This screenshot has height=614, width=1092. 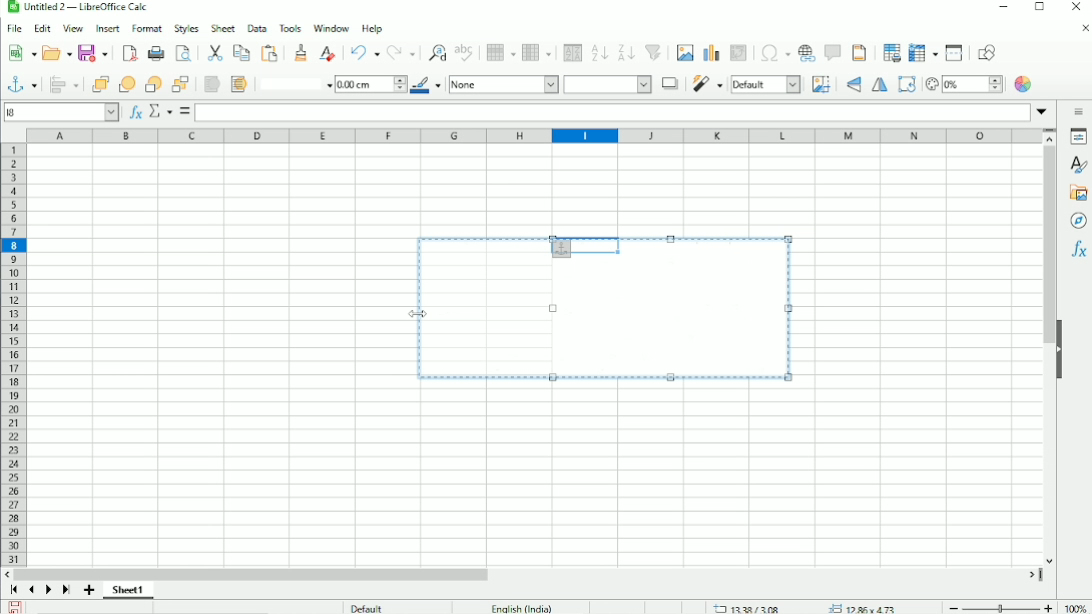 I want to click on To foreground, so click(x=211, y=84).